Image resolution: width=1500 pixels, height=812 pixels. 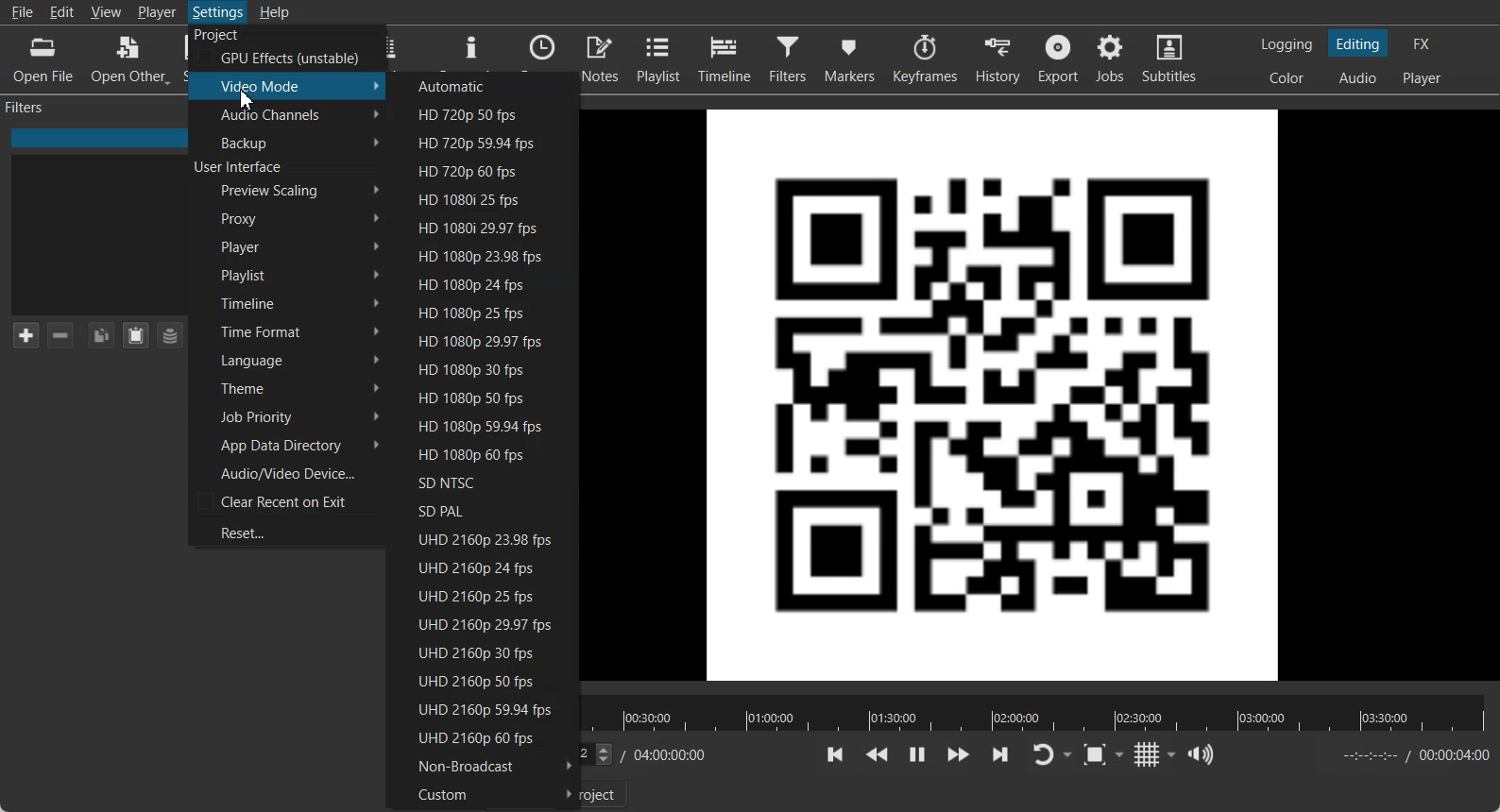 I want to click on Export, so click(x=1058, y=59).